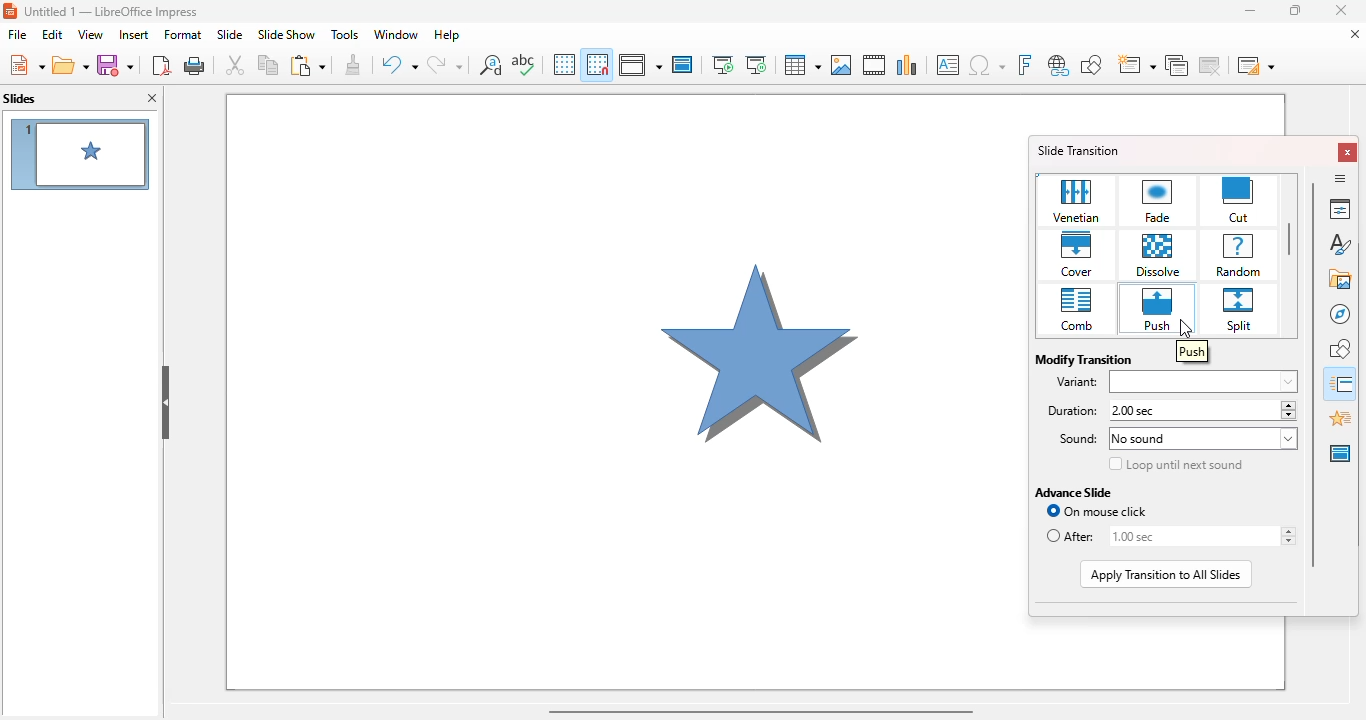 The image size is (1366, 720). Describe the element at coordinates (165, 403) in the screenshot. I see `hide` at that location.